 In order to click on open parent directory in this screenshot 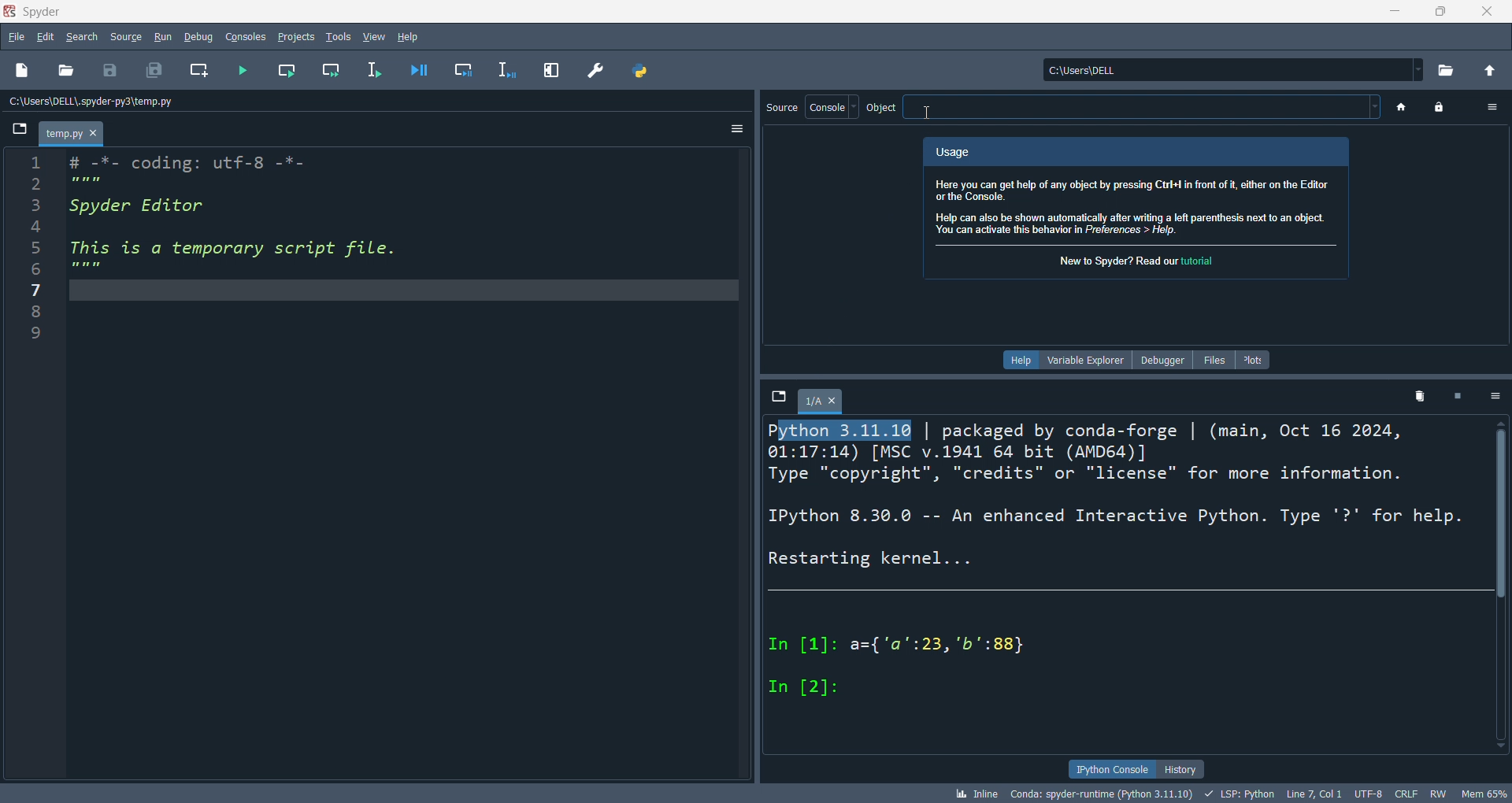, I will do `click(1488, 68)`.